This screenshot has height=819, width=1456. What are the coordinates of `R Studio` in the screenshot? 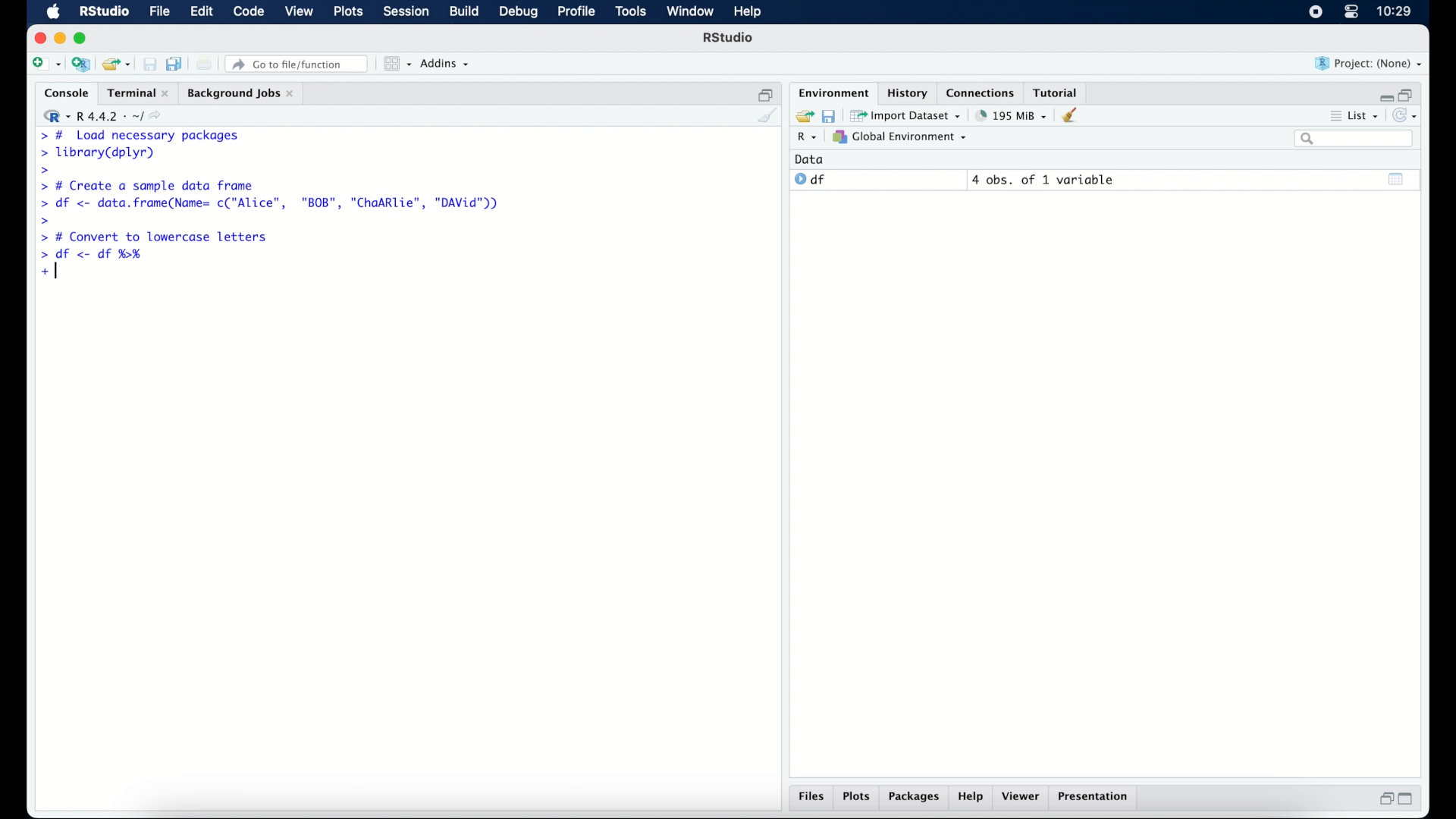 It's located at (730, 39).